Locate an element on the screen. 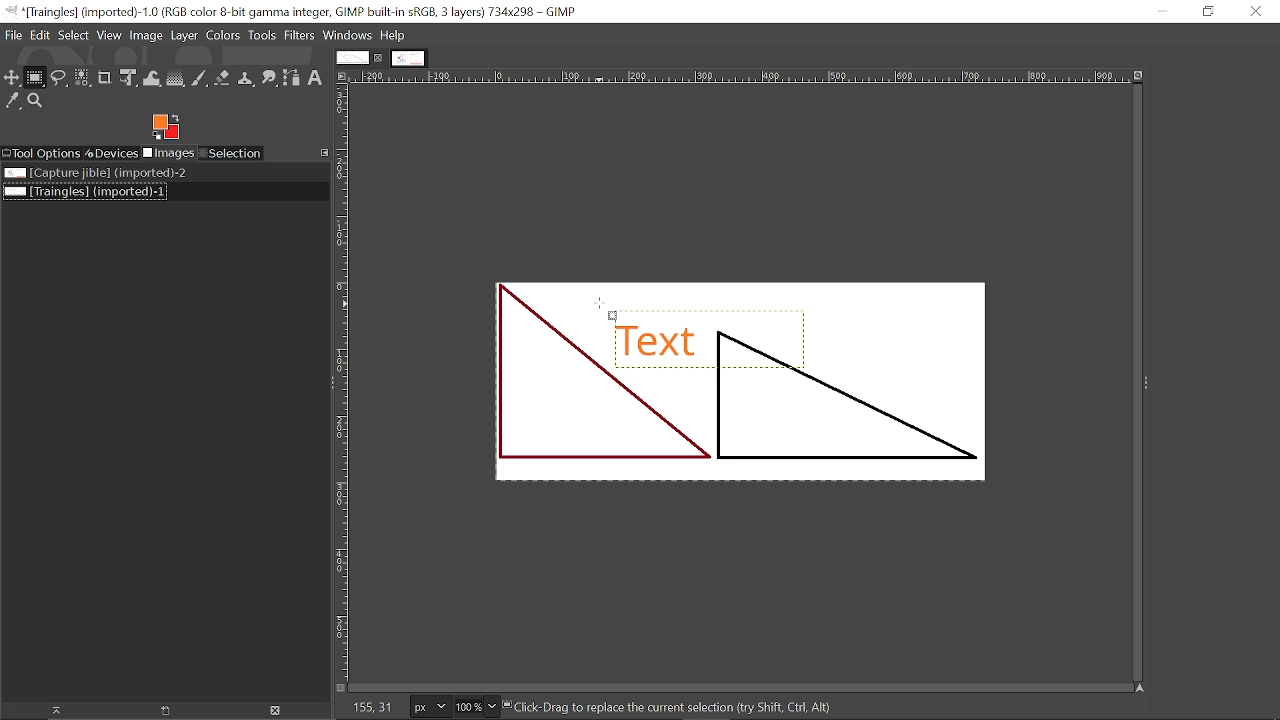 This screenshot has width=1280, height=720. Navigate this window is located at coordinates (1138, 689).